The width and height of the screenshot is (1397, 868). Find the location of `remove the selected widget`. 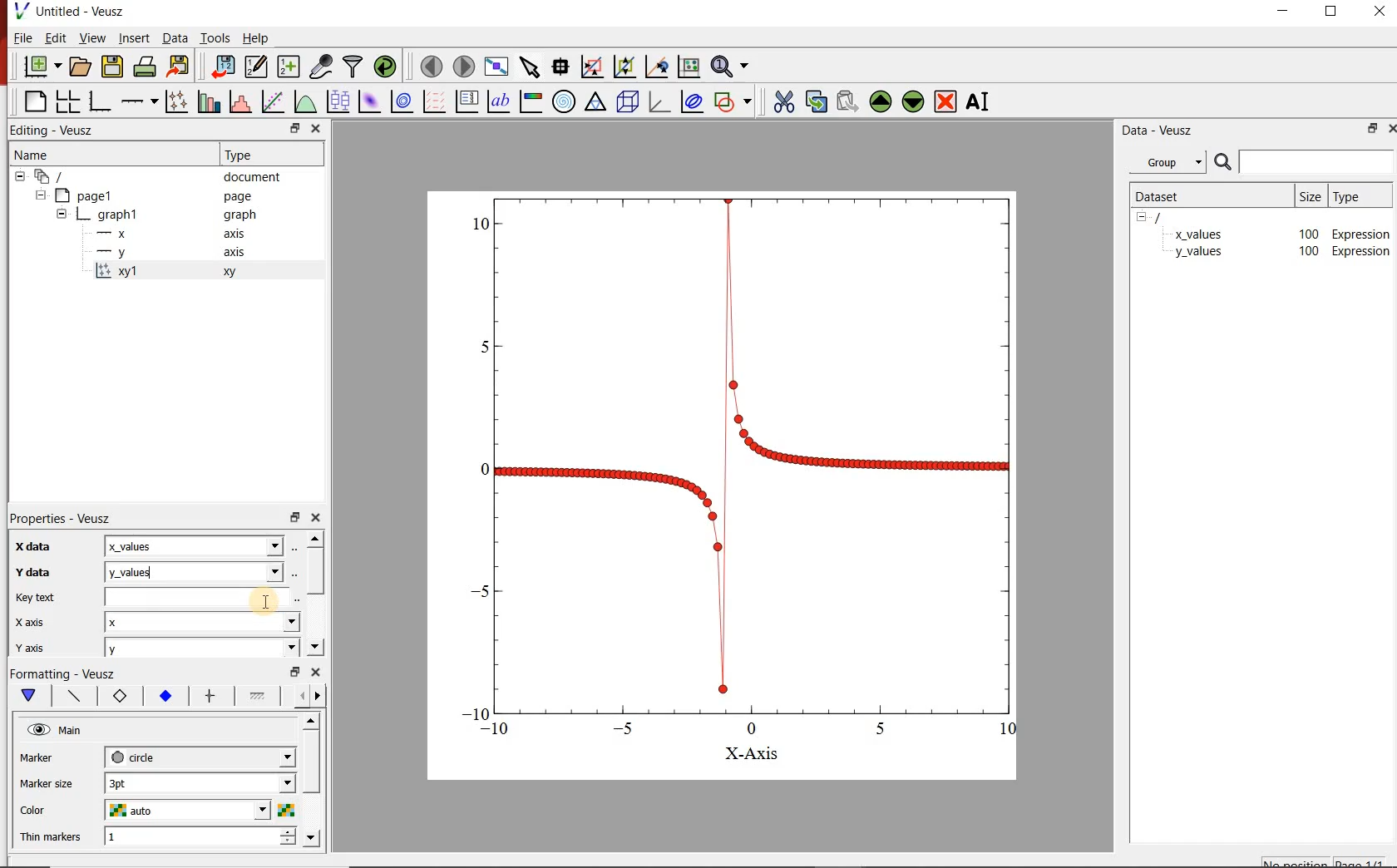

remove the selected widget is located at coordinates (945, 104).